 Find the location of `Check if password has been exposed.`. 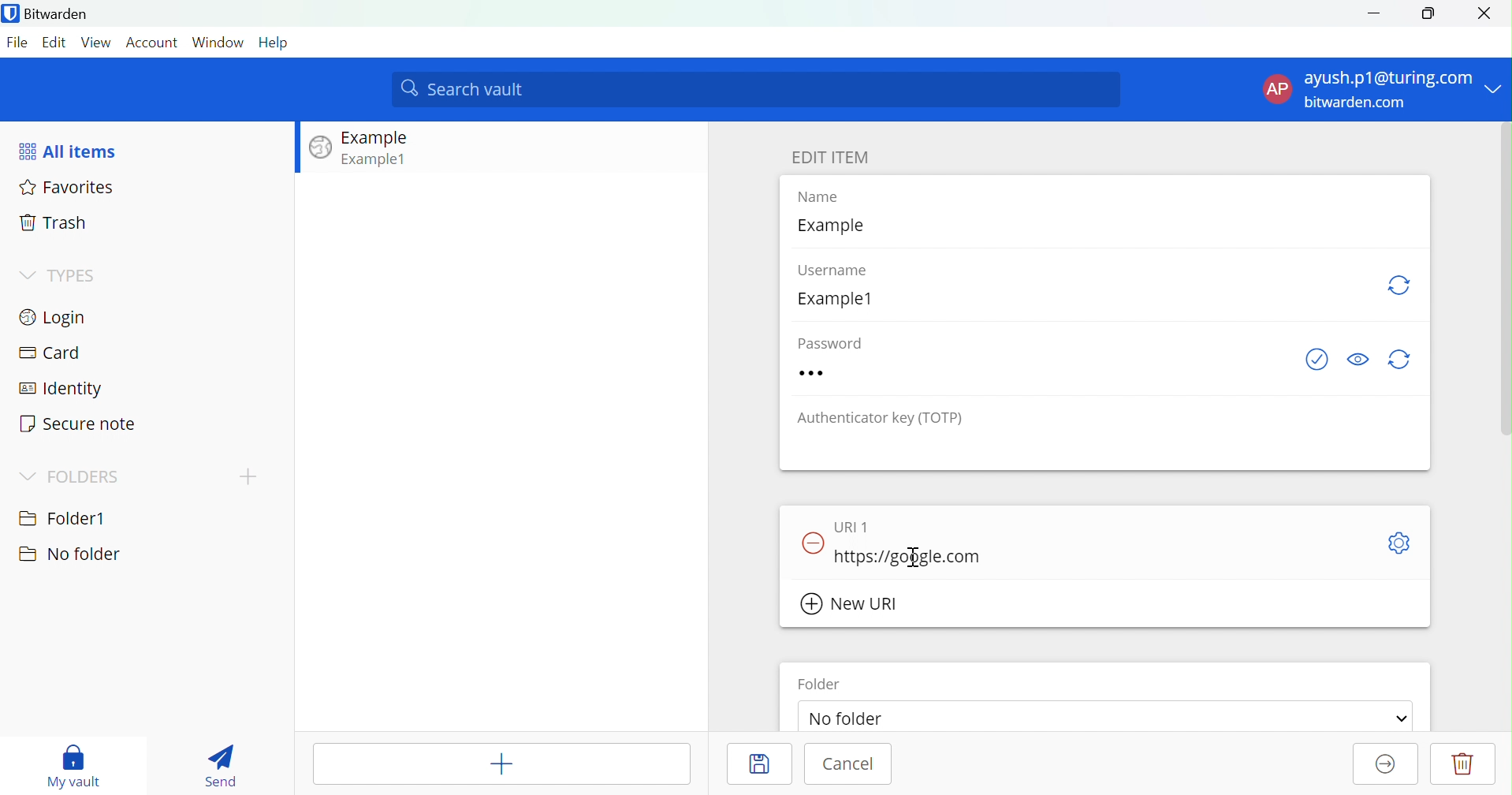

Check if password has been exposed. is located at coordinates (1316, 360).